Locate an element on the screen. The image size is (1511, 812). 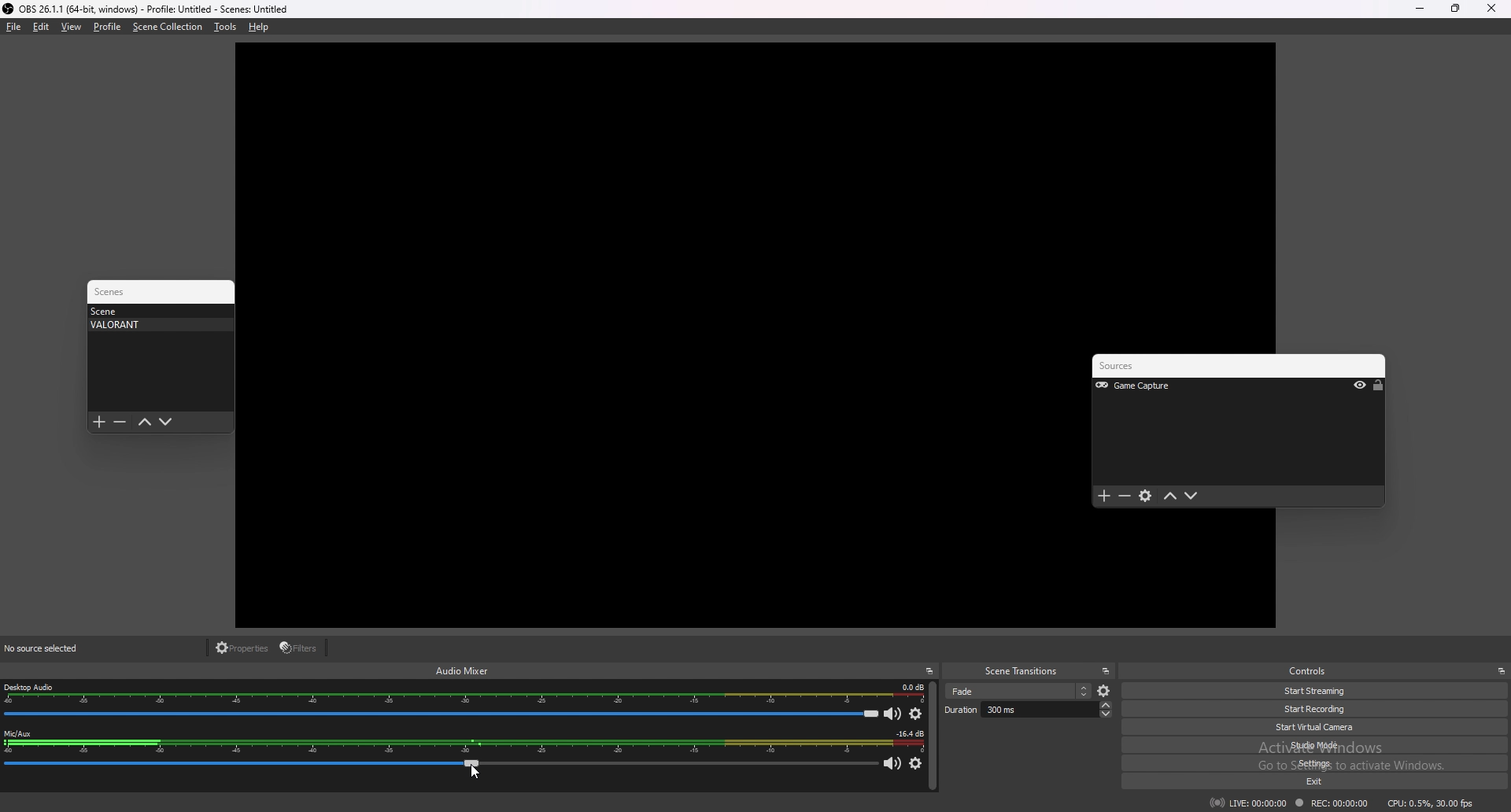
audio mixer is located at coordinates (463, 670).